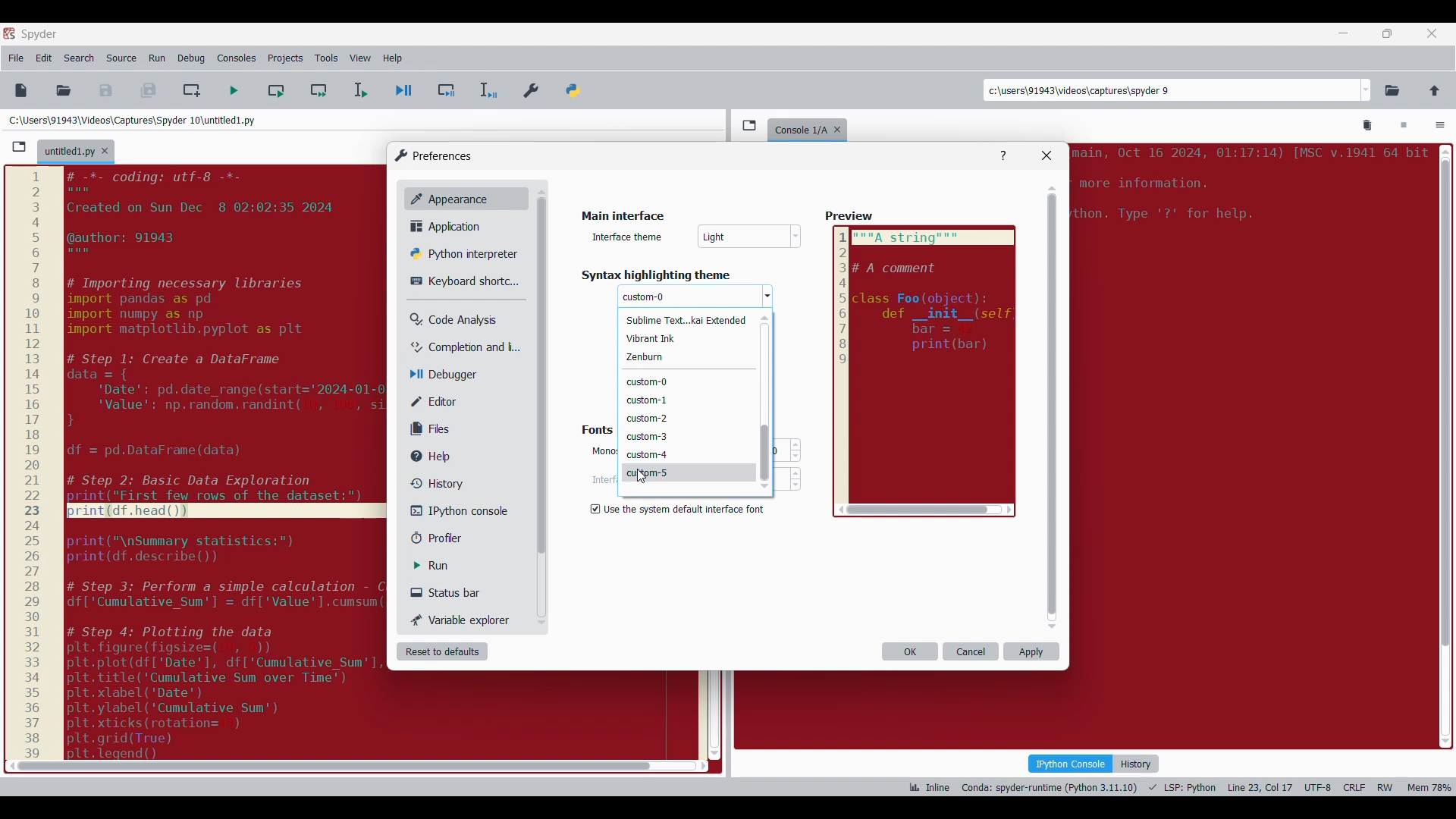  I want to click on IPython console, so click(1070, 763).